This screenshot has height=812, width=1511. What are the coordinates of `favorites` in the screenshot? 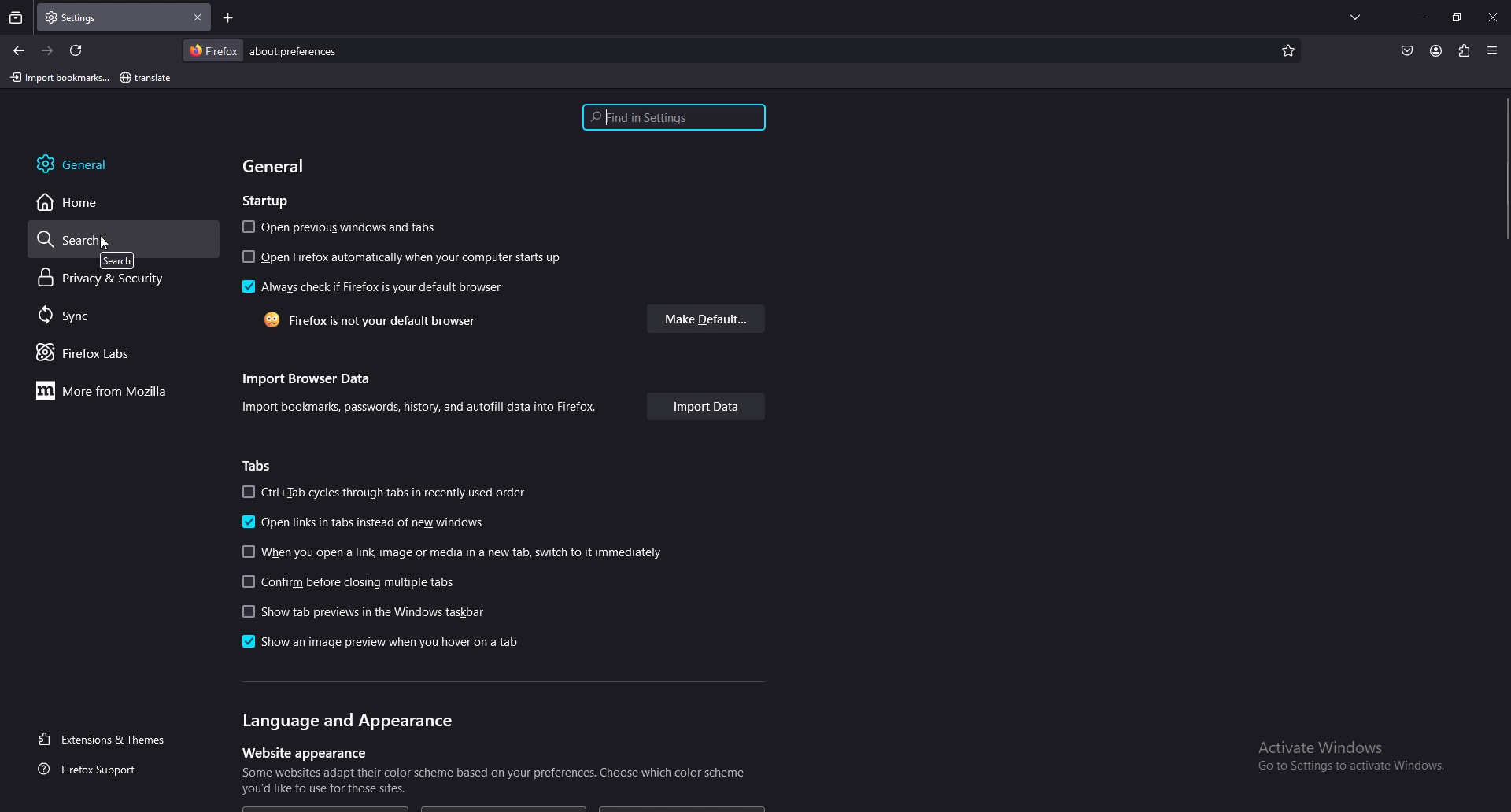 It's located at (1285, 50).